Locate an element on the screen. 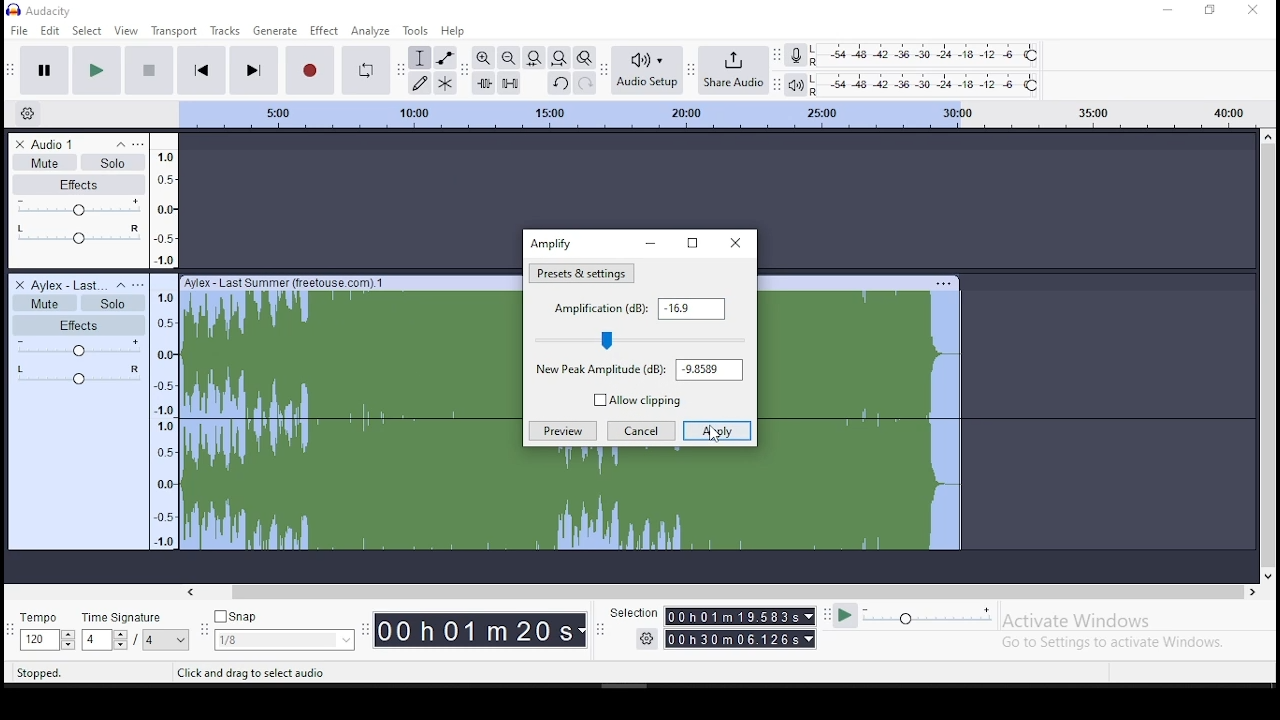 The height and width of the screenshot is (720, 1280). effects is located at coordinates (79, 185).